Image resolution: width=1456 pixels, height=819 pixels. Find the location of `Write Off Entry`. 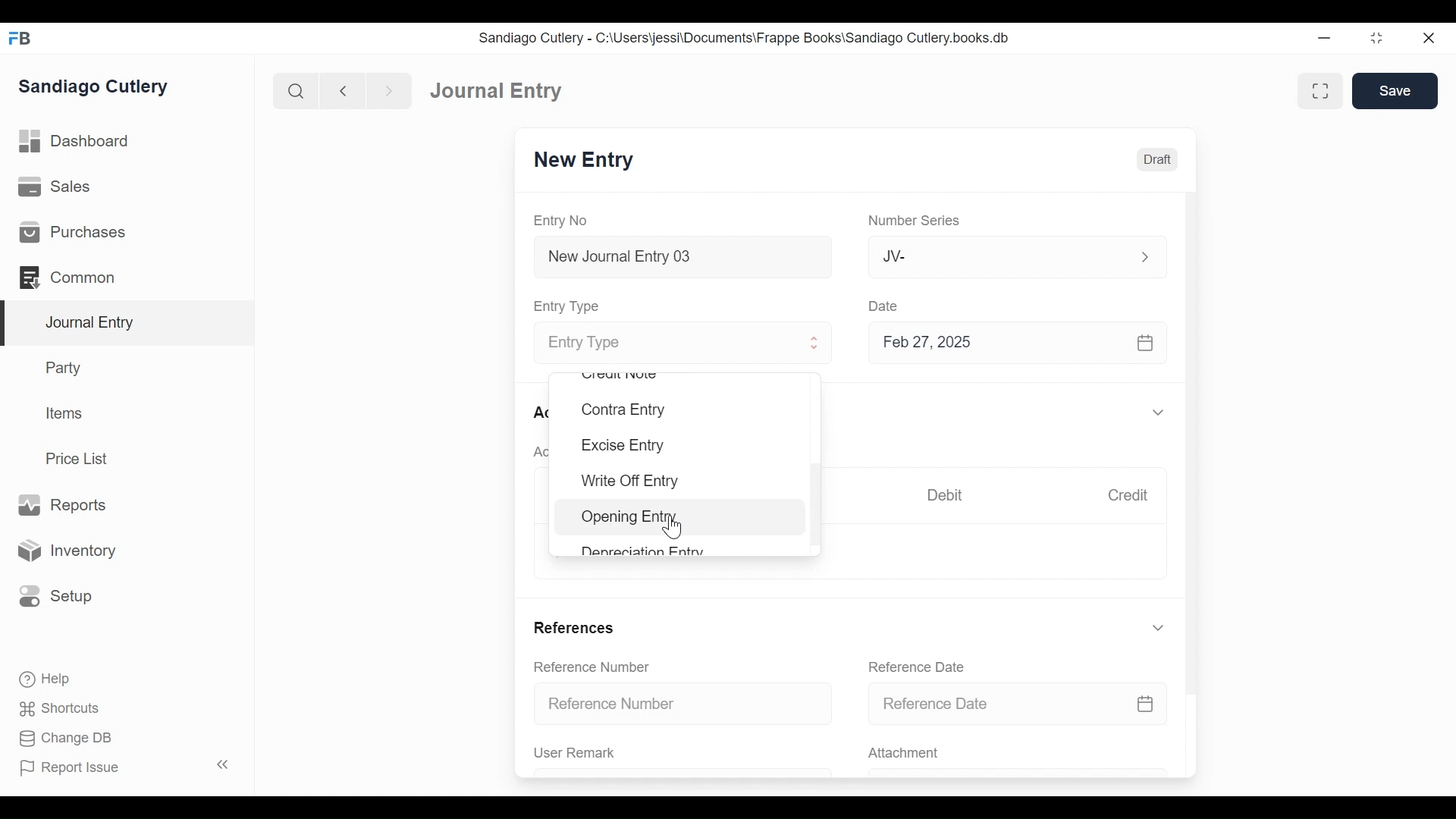

Write Off Entry is located at coordinates (632, 482).